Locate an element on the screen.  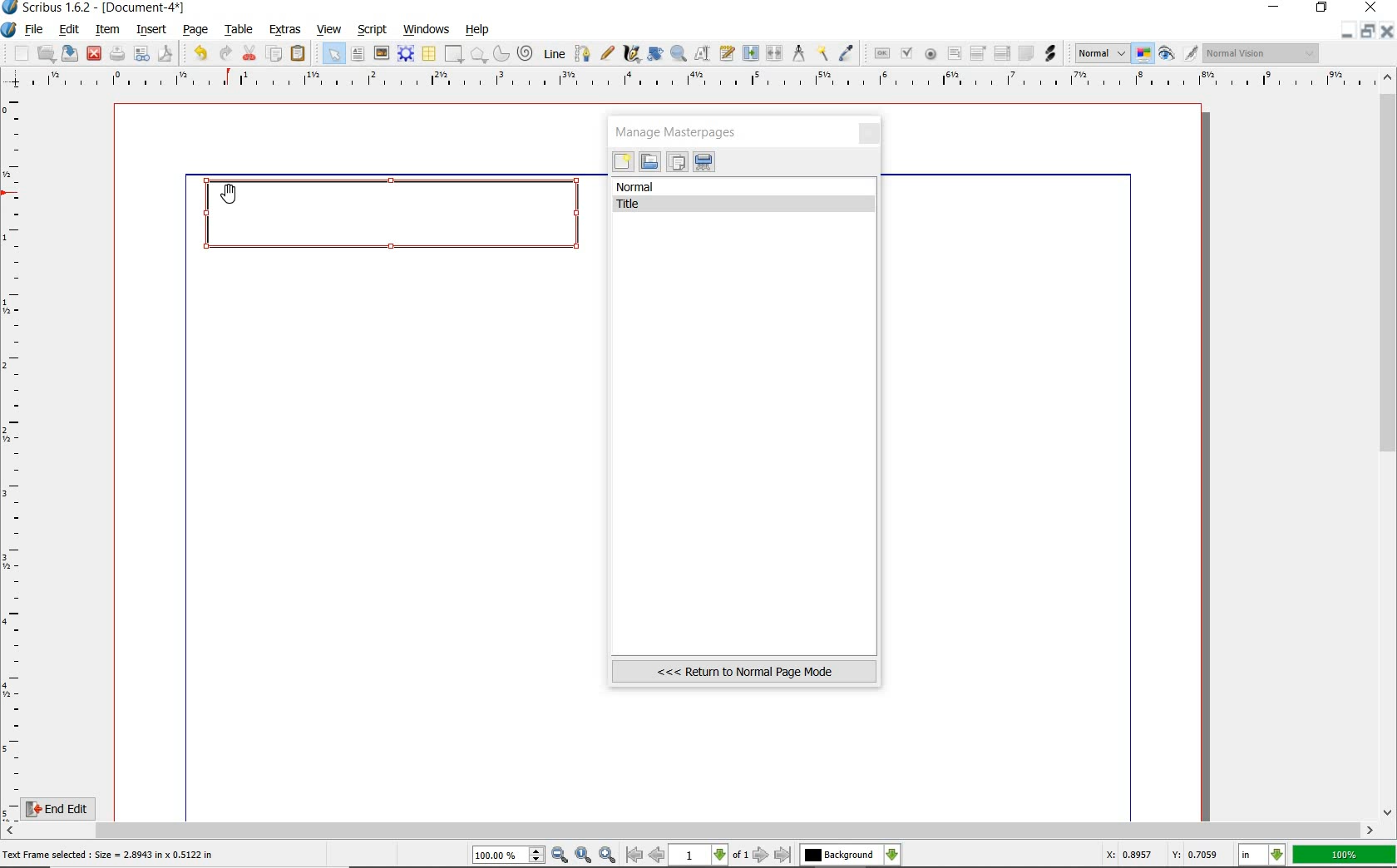
extras is located at coordinates (286, 30).